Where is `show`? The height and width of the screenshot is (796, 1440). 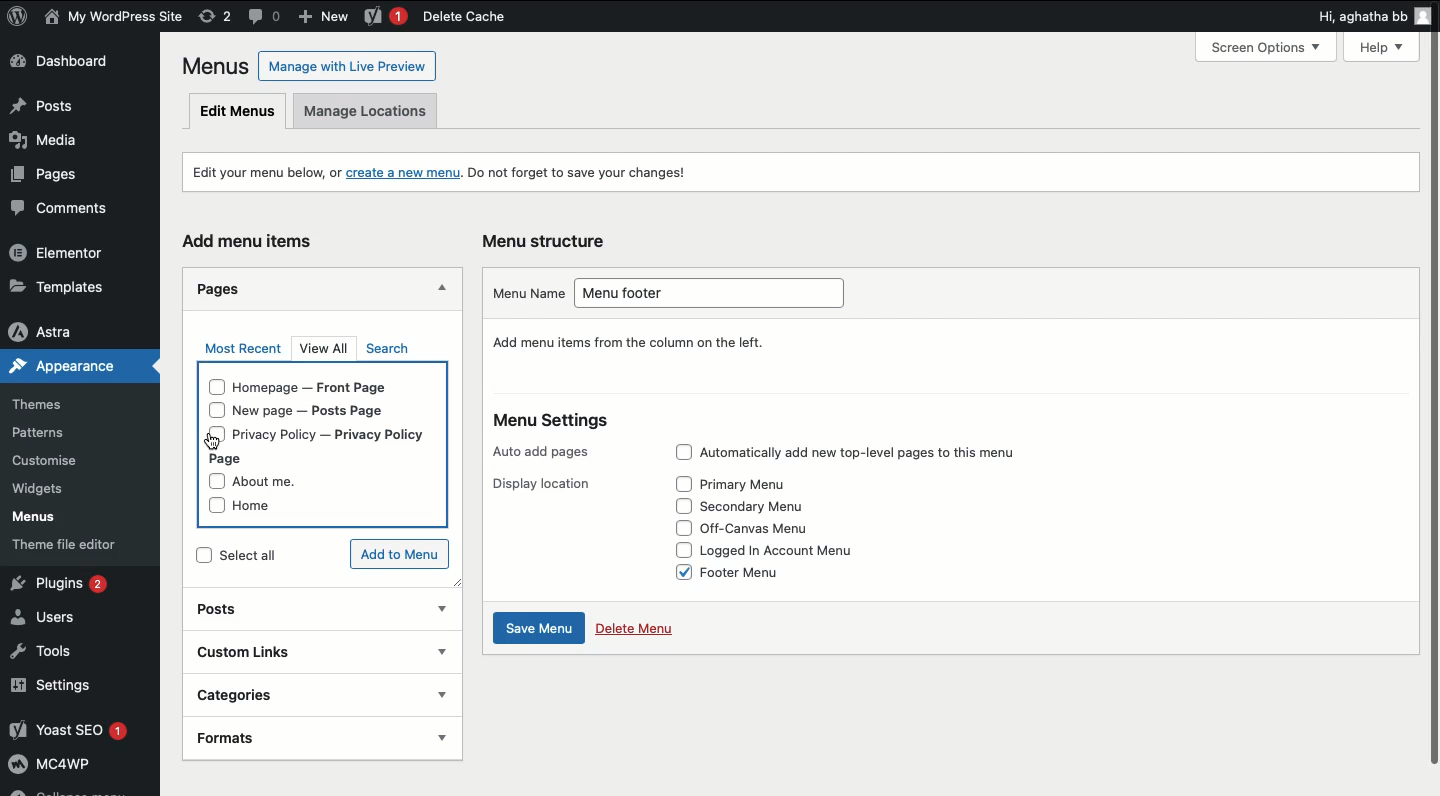
show is located at coordinates (440, 651).